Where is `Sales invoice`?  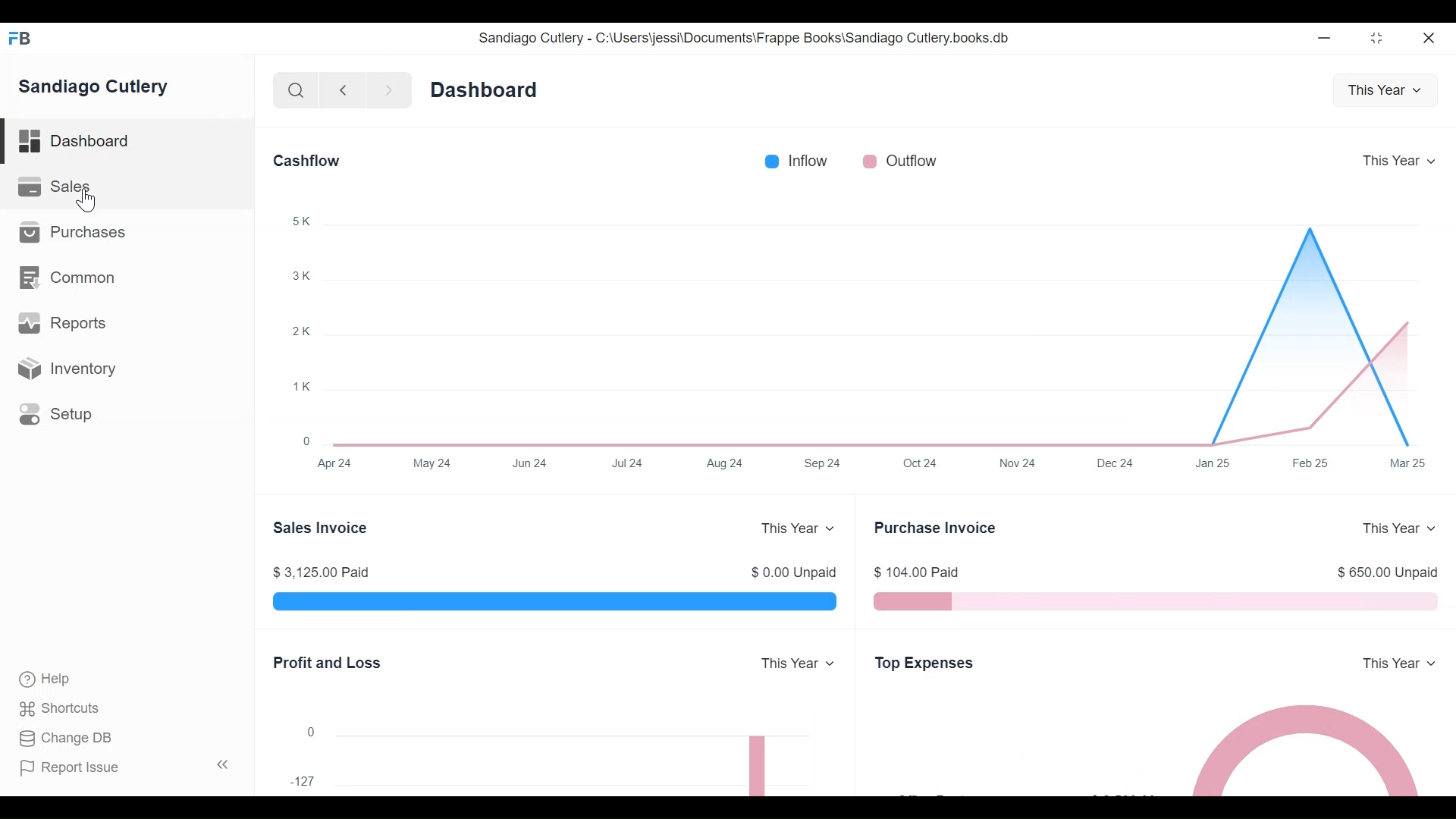
Sales invoice is located at coordinates (322, 529).